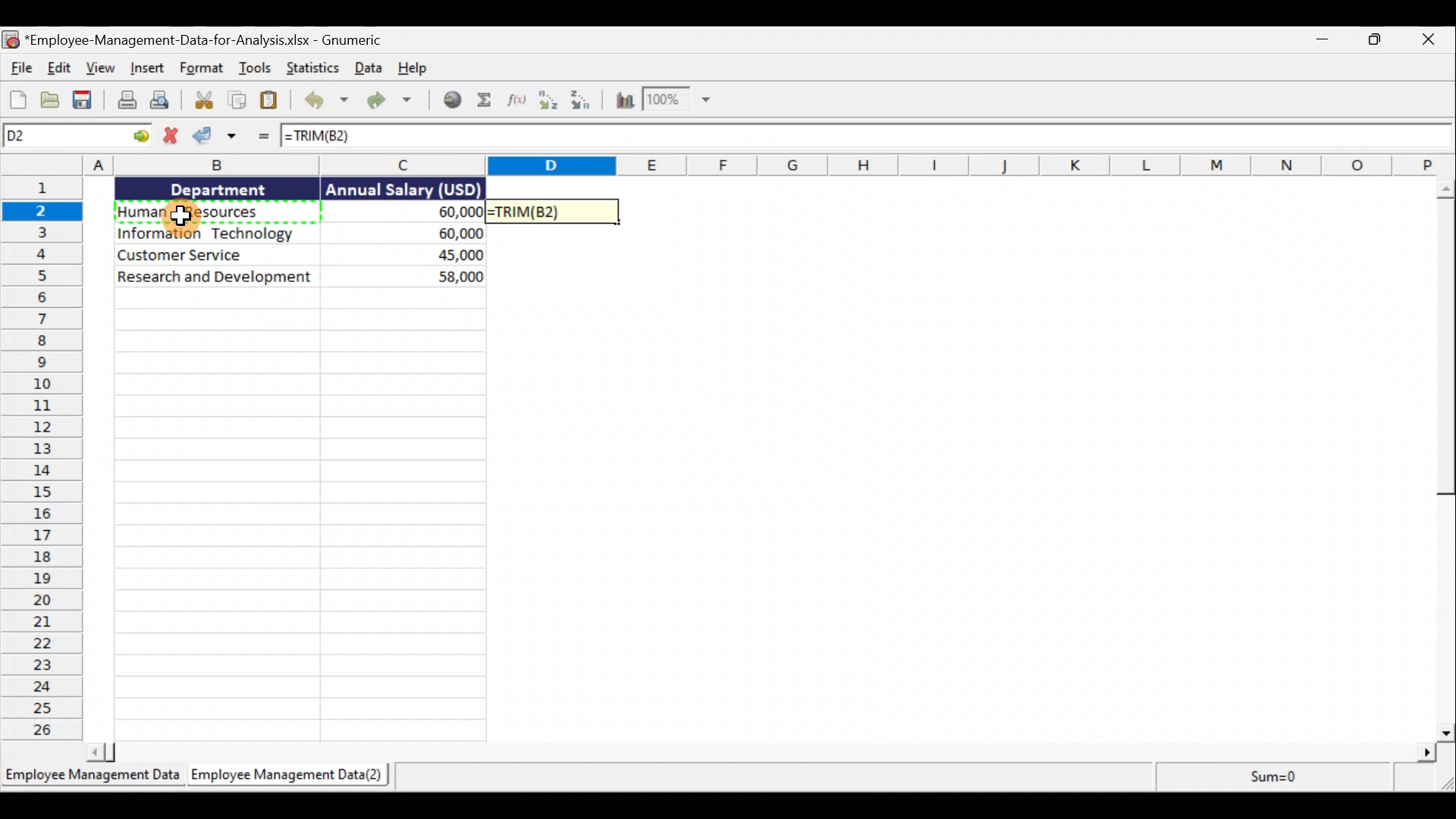  Describe the element at coordinates (325, 102) in the screenshot. I see `Undo the last action` at that location.